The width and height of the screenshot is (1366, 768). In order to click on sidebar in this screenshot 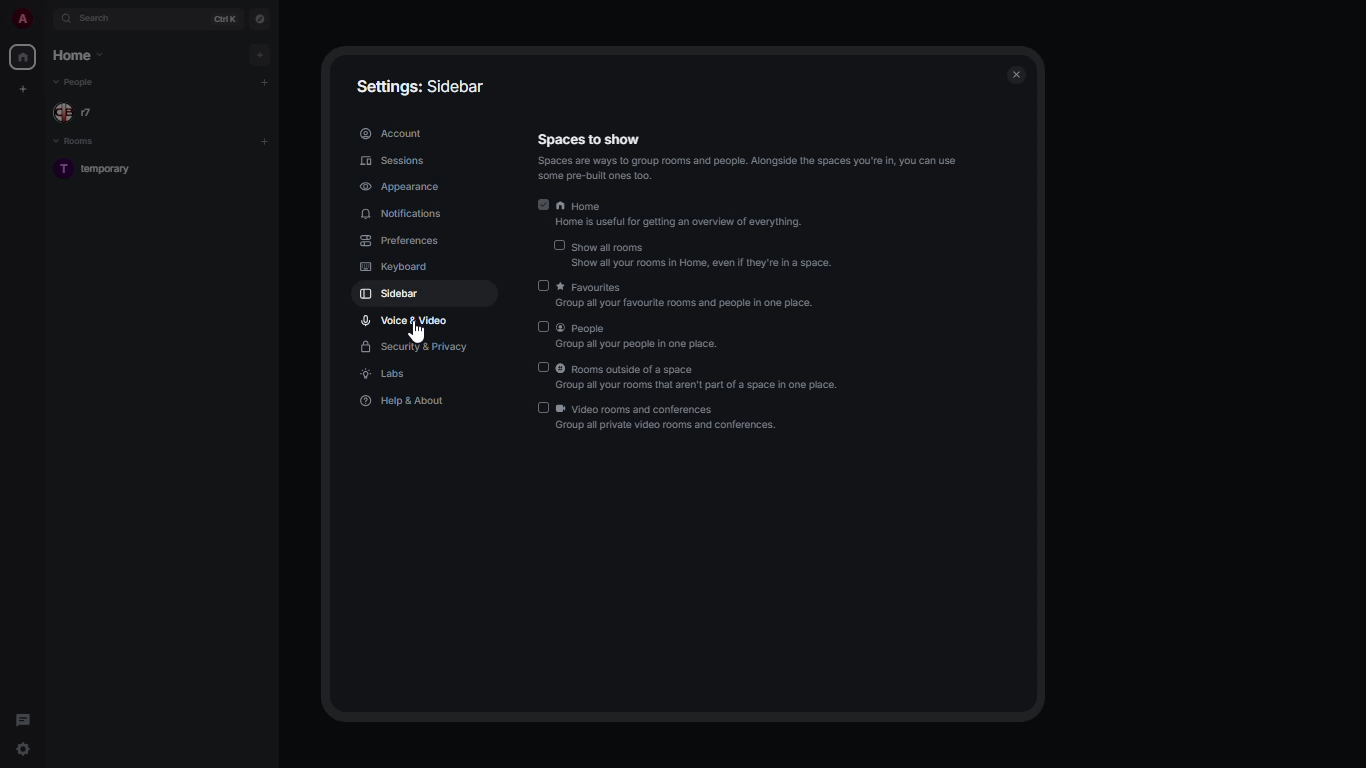, I will do `click(389, 295)`.